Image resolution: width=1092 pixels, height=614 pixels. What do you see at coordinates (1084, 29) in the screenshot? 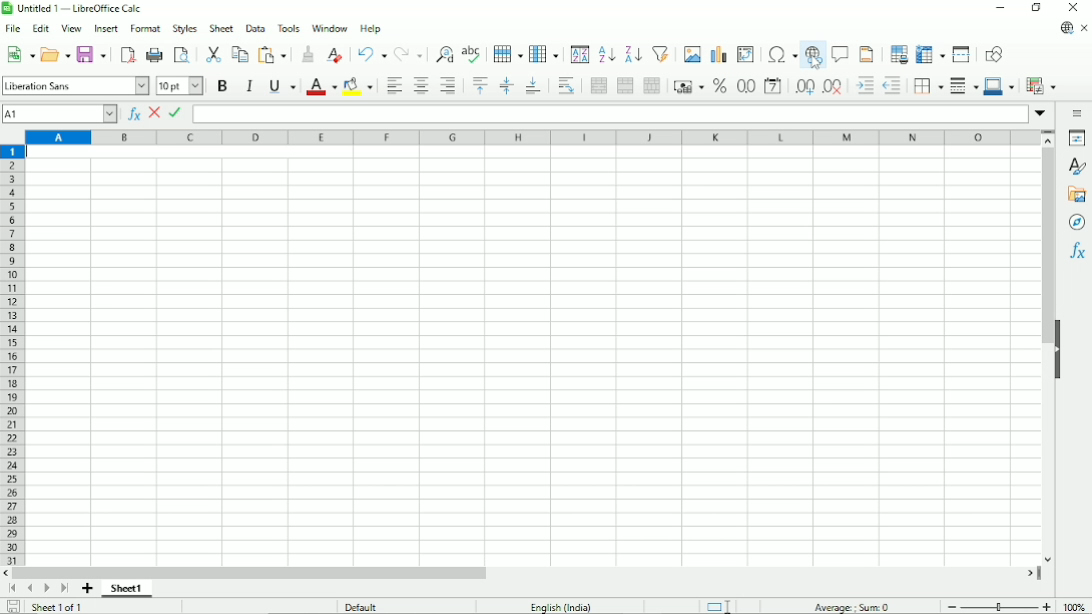
I see `Close documents` at bounding box center [1084, 29].